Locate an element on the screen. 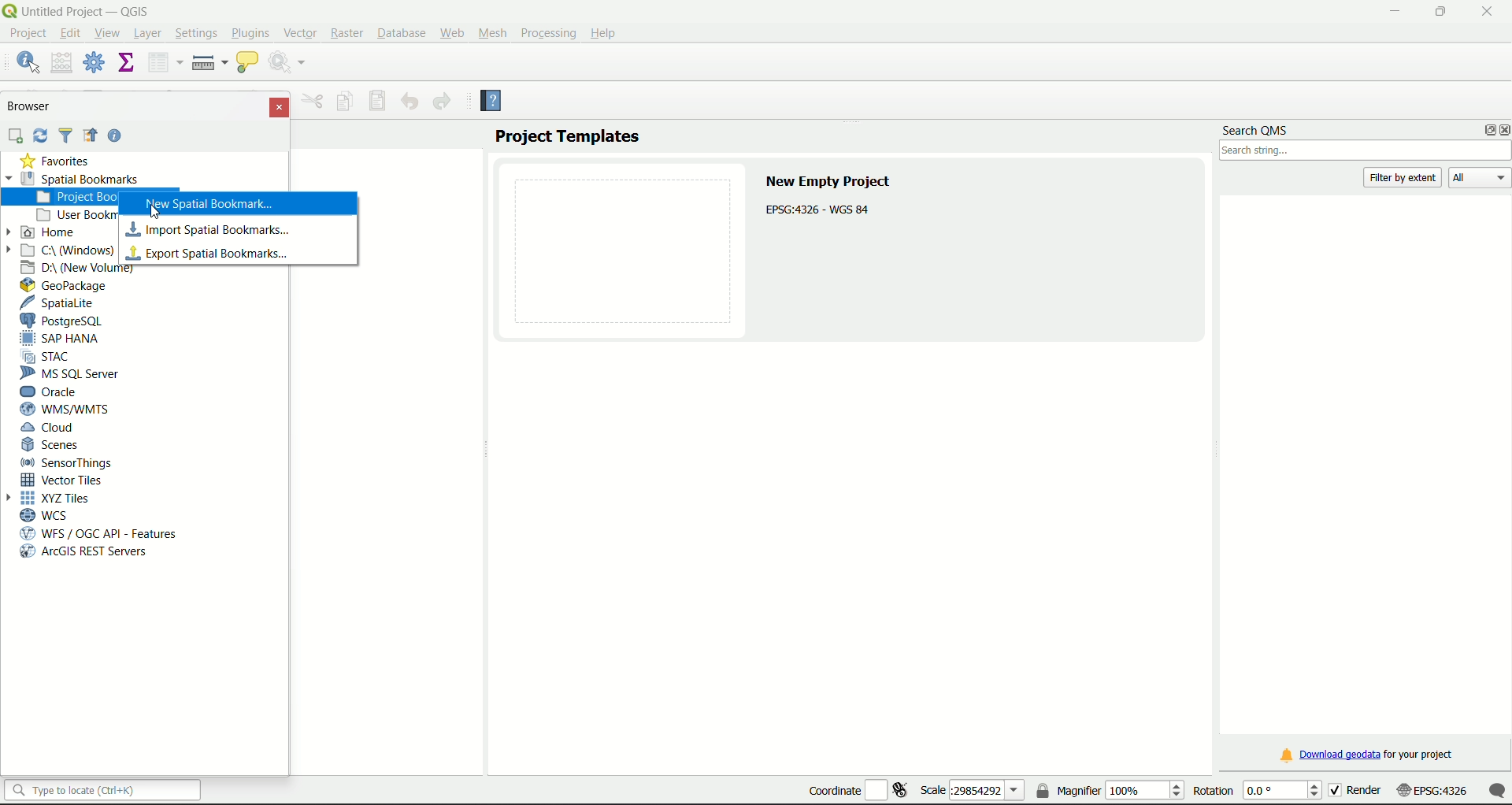  identify features is located at coordinates (27, 61).